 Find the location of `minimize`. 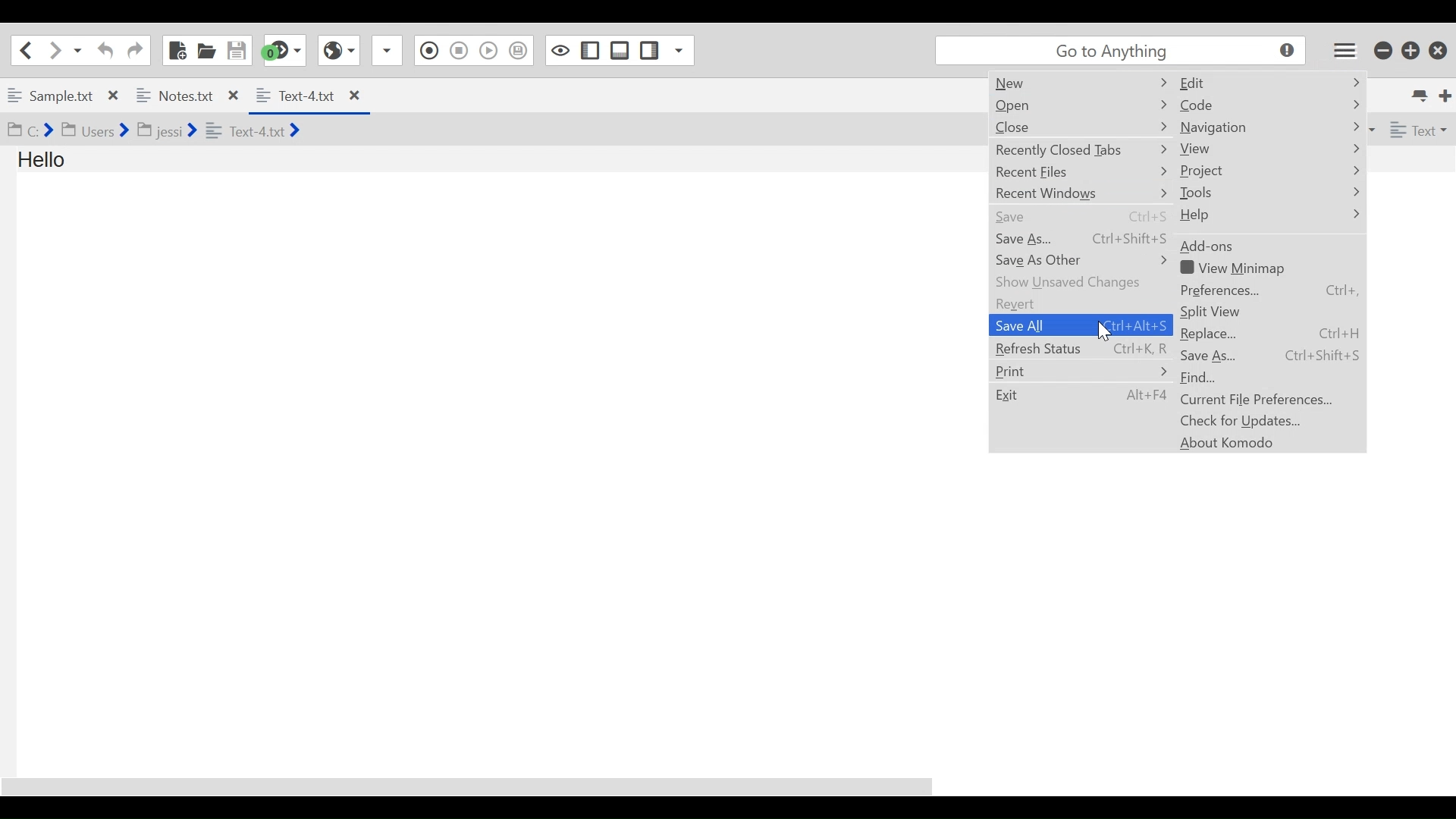

minimize is located at coordinates (1382, 50).